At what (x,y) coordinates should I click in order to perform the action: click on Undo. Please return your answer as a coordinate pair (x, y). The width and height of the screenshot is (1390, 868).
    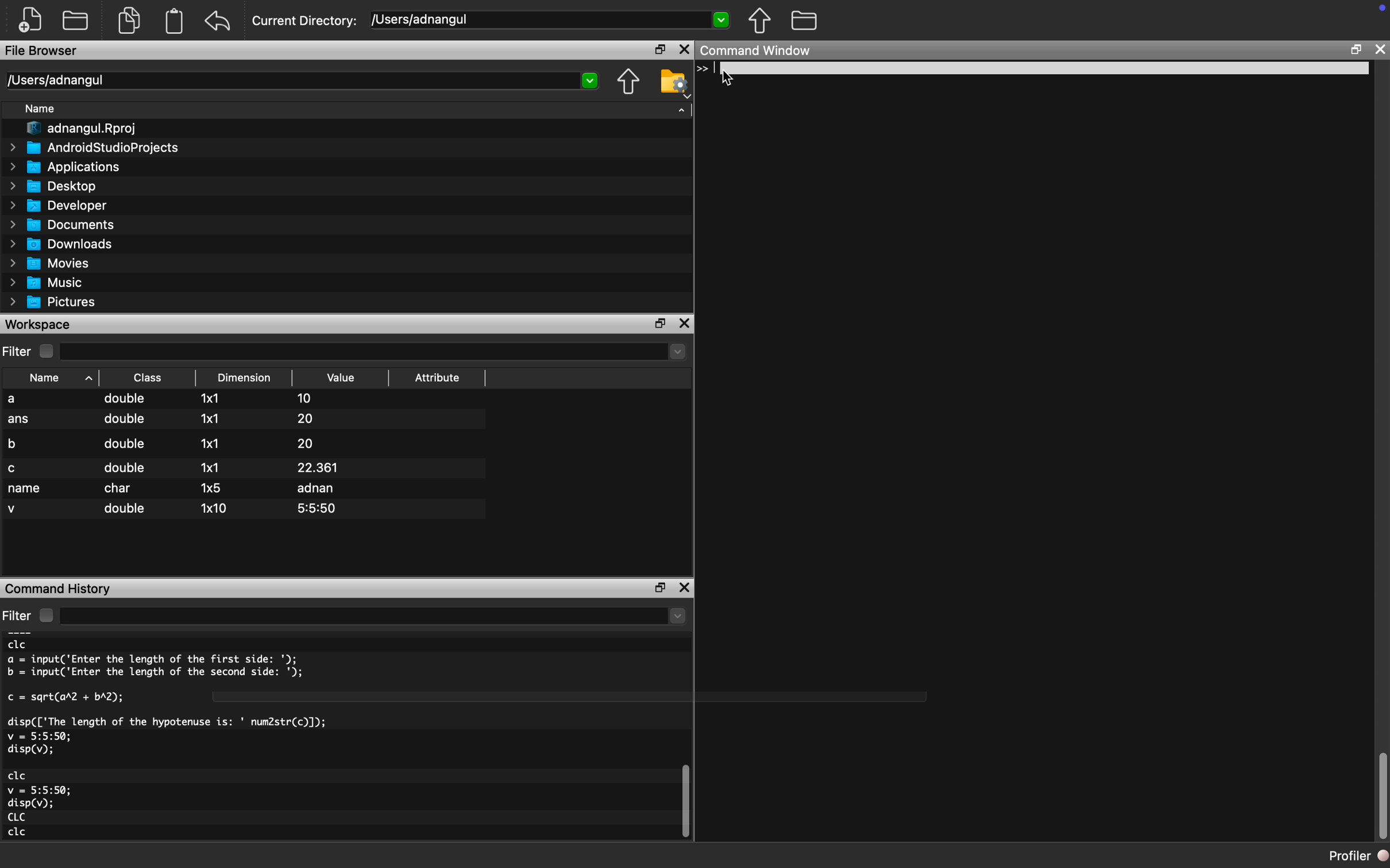
    Looking at the image, I should click on (222, 18).